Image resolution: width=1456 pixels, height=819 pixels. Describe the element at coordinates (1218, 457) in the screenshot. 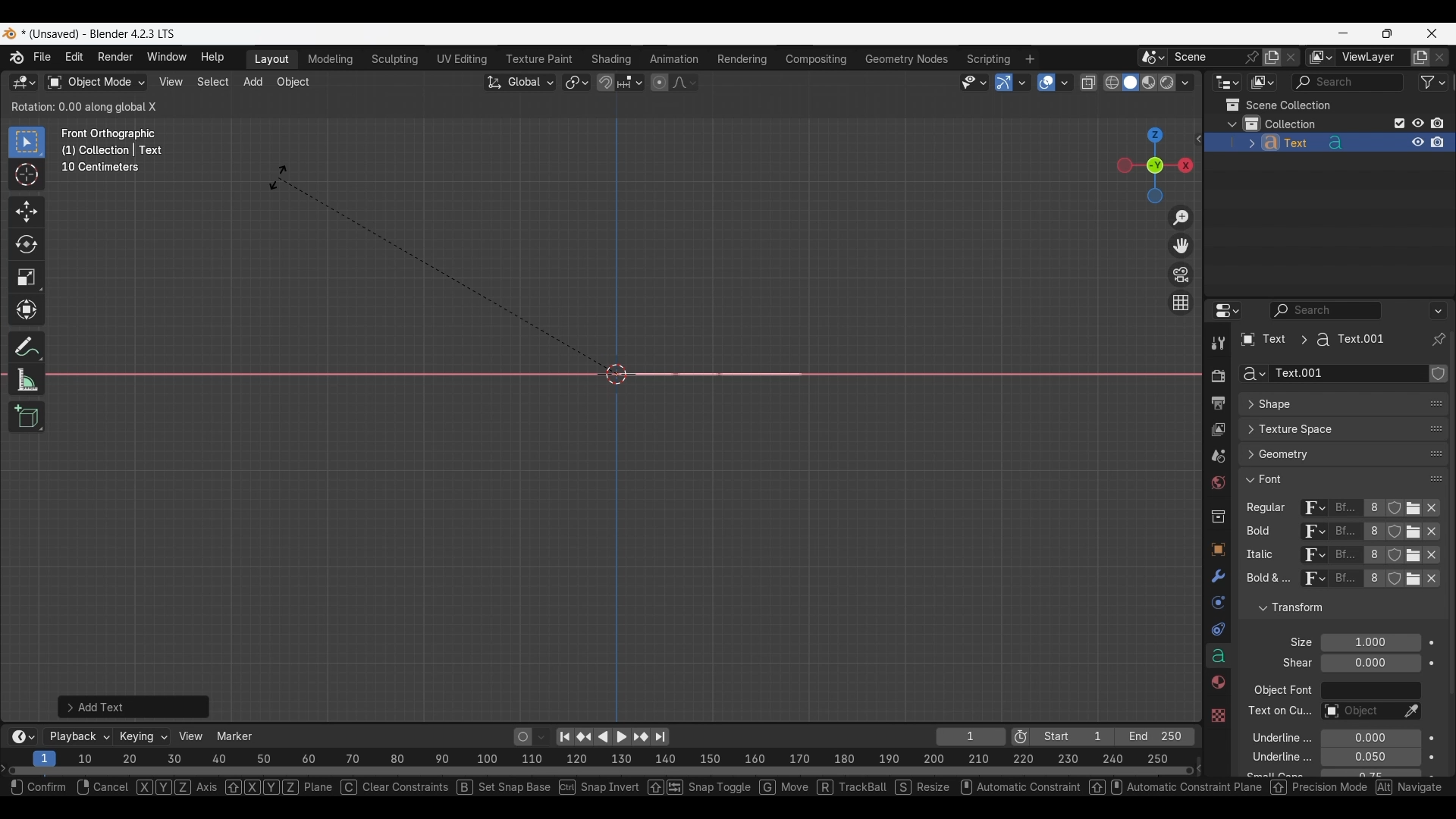

I see `Scene property, current selection` at that location.